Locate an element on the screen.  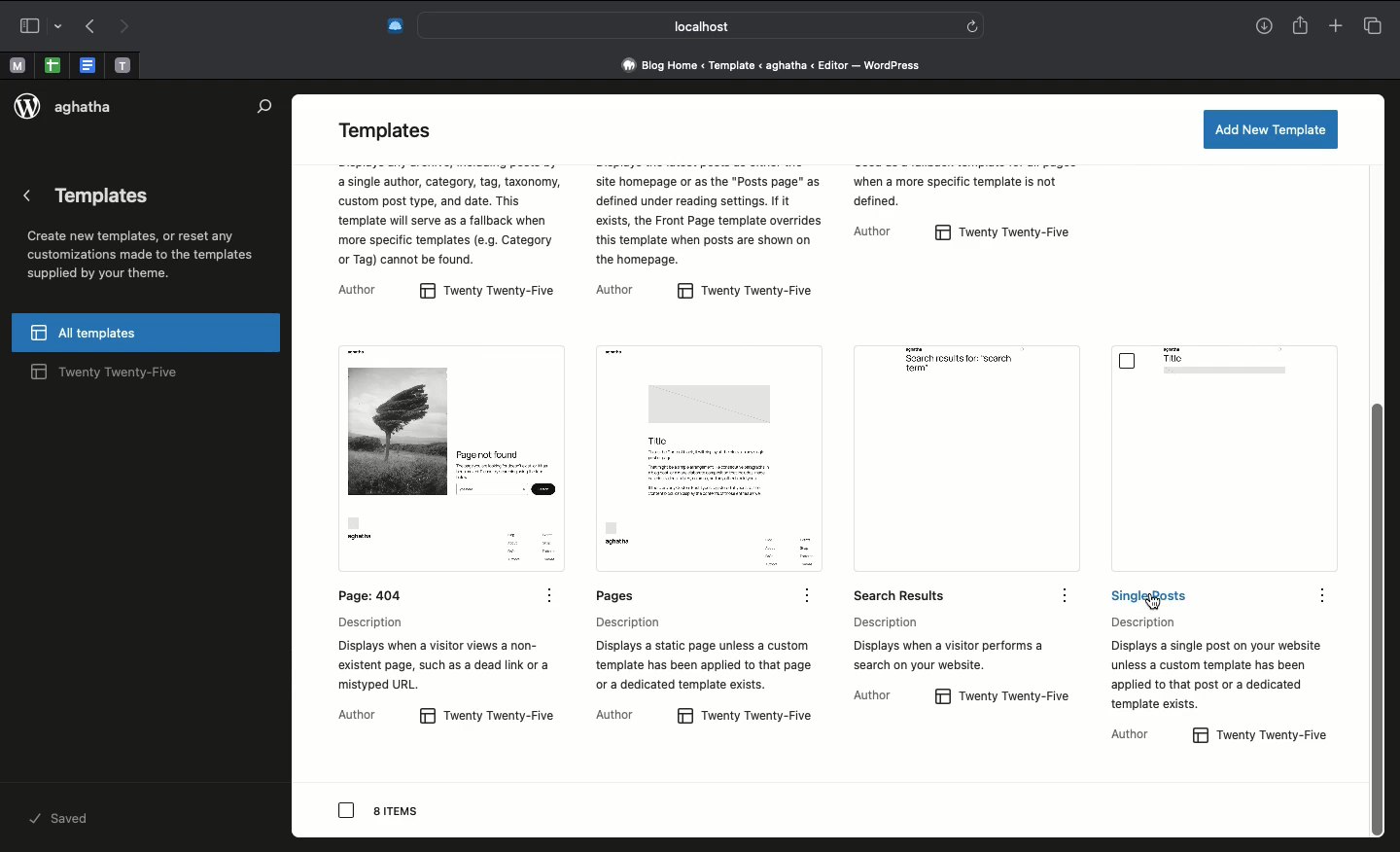
Description is located at coordinates (449, 657).